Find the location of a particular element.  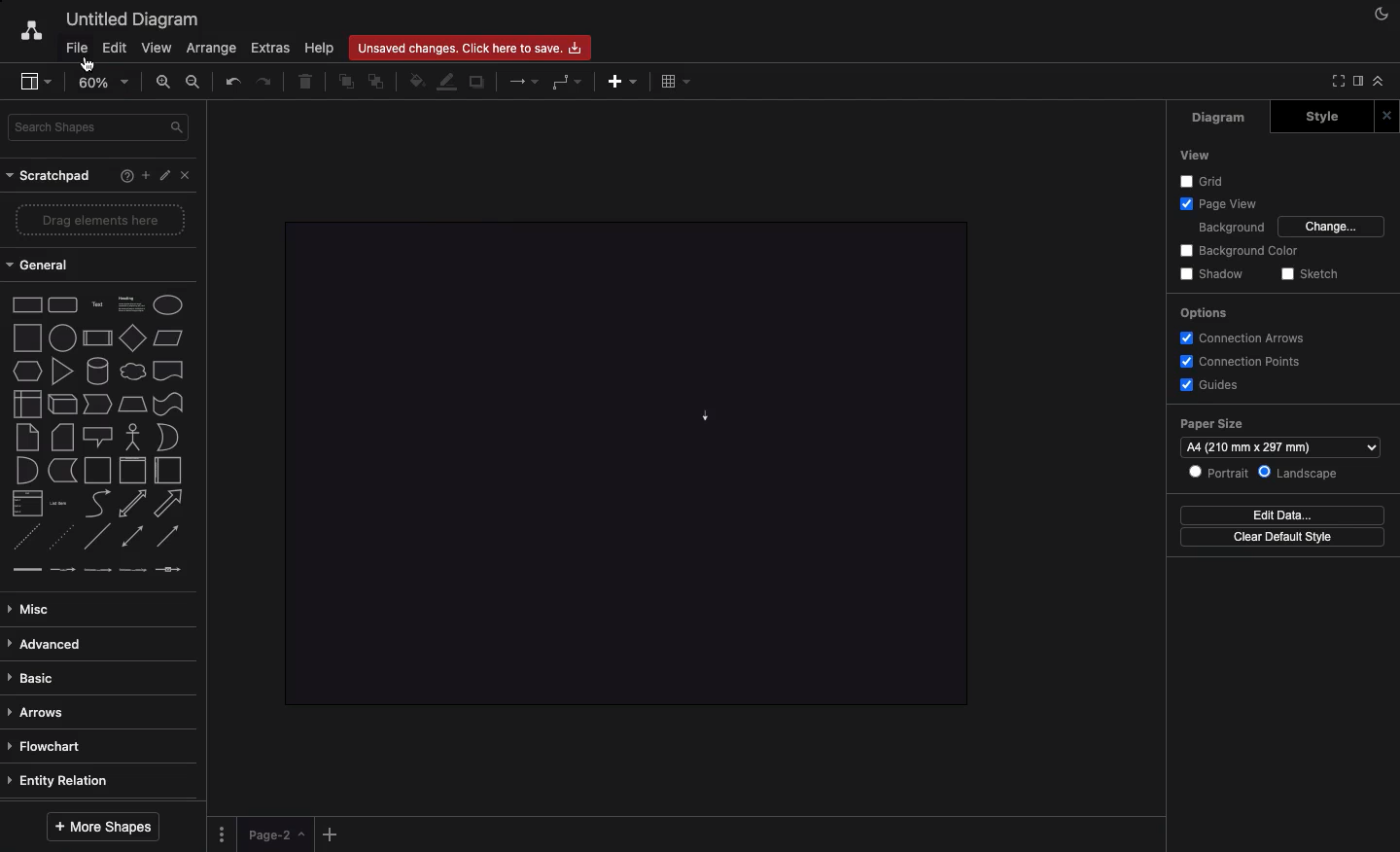

Edit is located at coordinates (116, 48).